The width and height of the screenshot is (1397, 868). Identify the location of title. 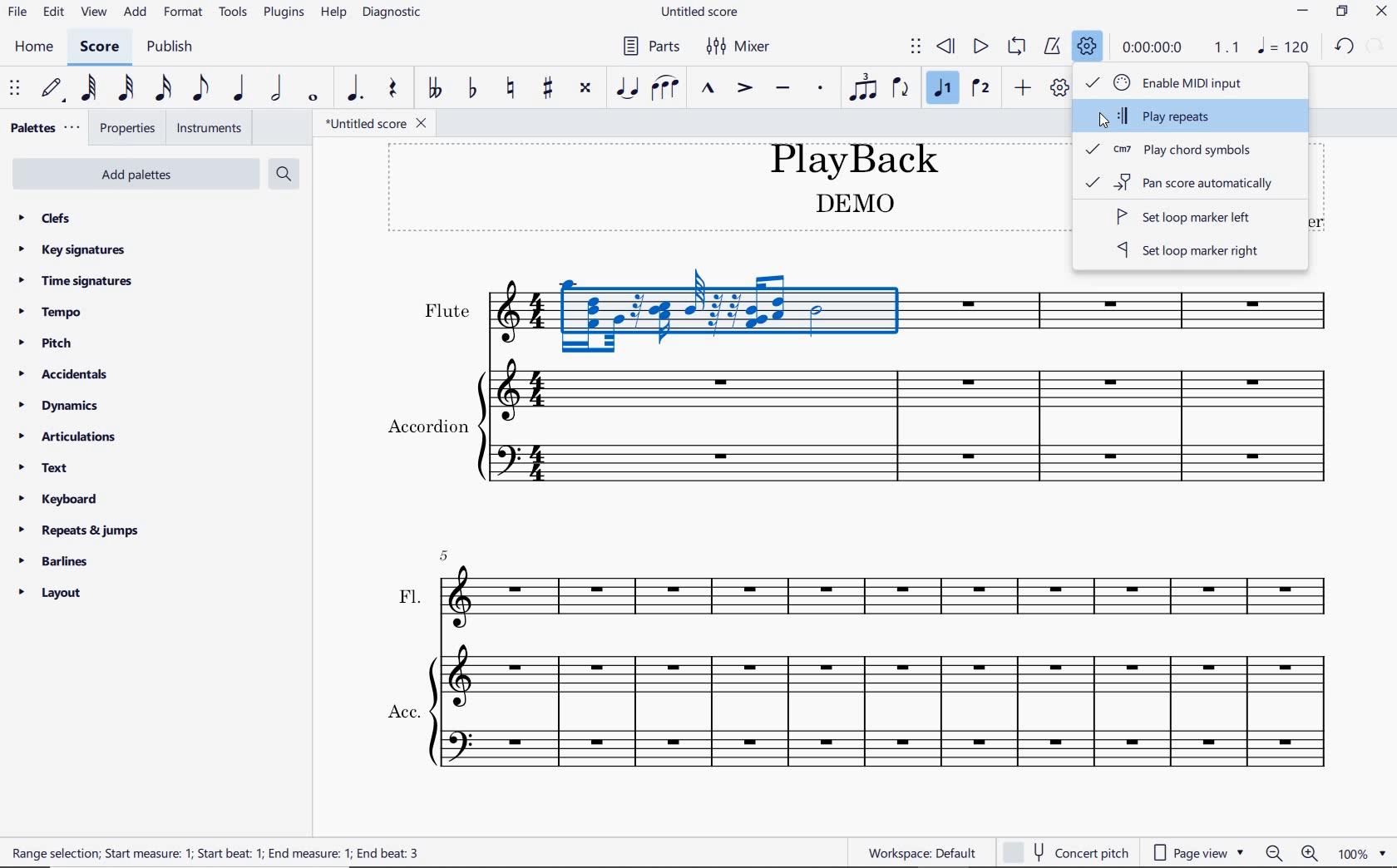
(724, 187).